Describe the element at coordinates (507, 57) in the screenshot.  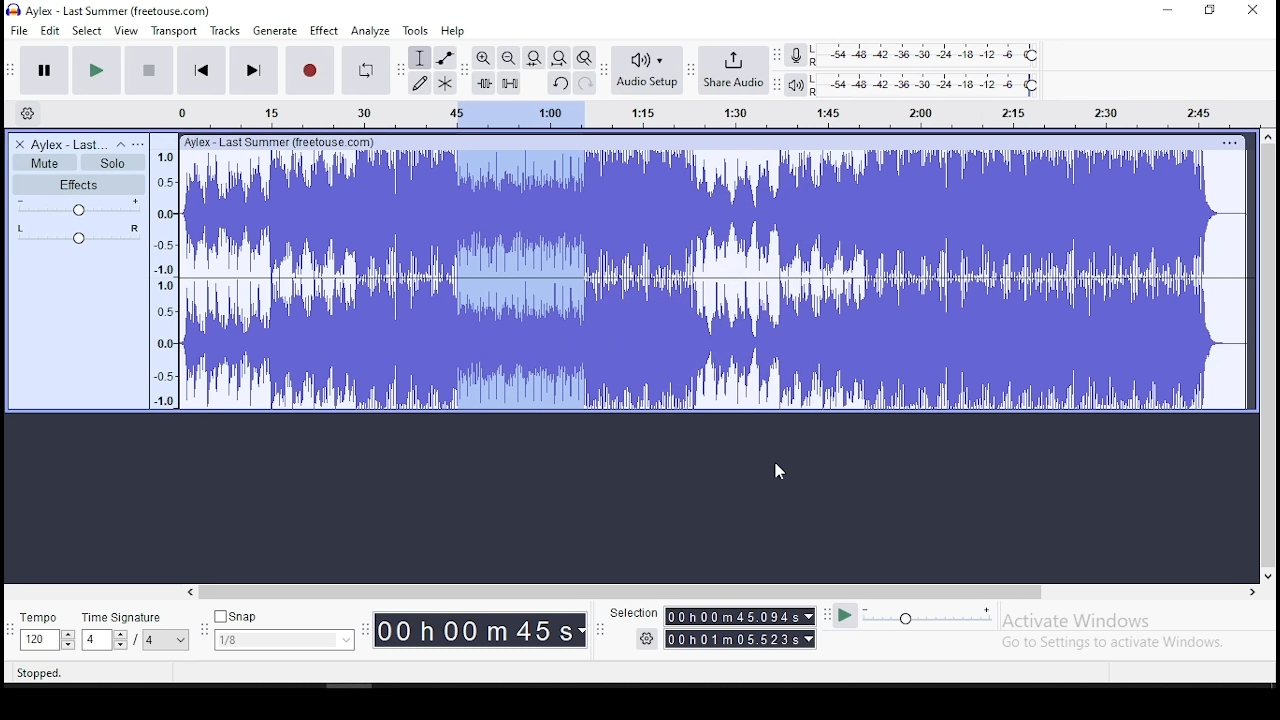
I see `zoom out` at that location.